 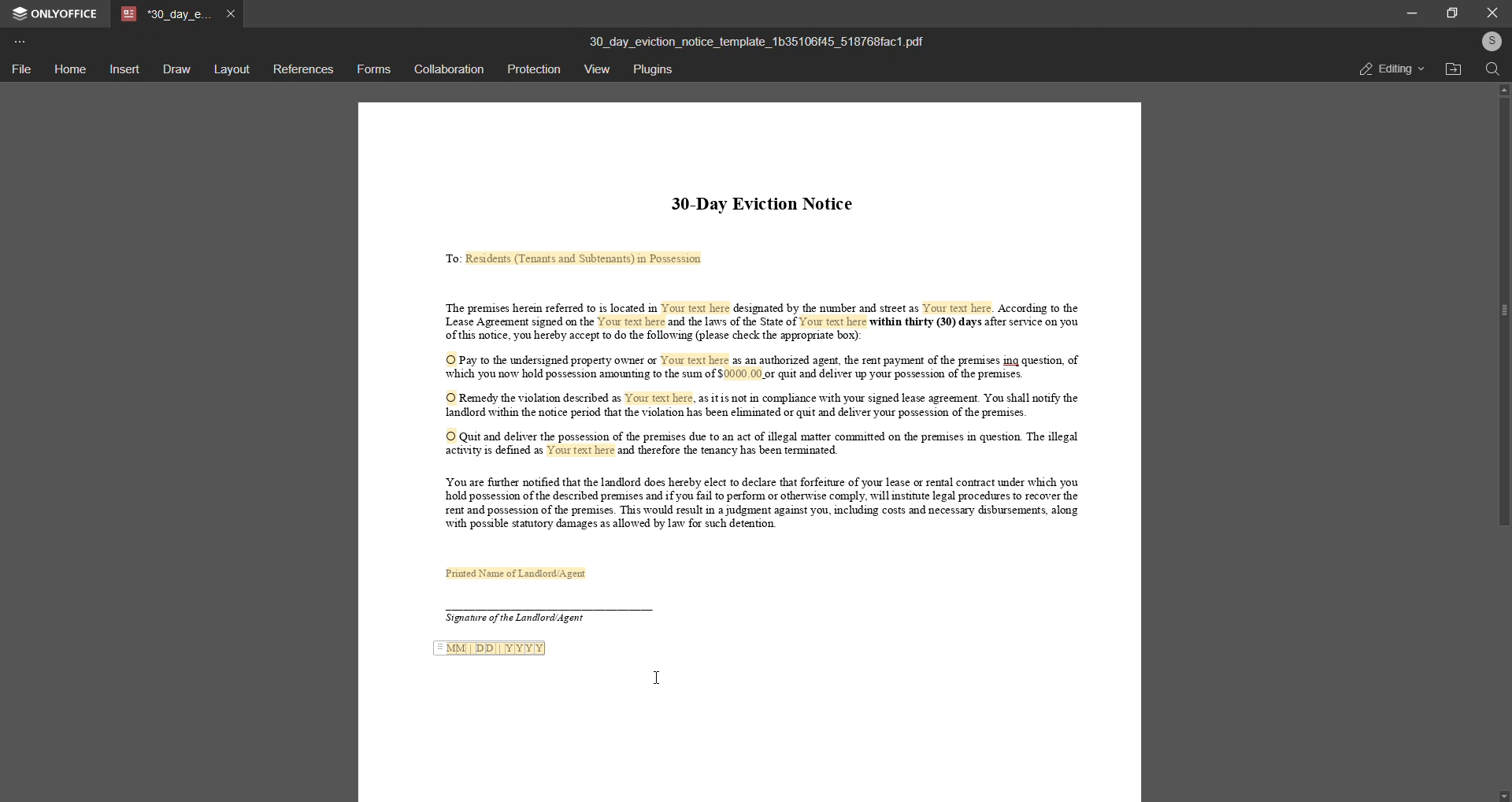 What do you see at coordinates (1490, 41) in the screenshot?
I see `user` at bounding box center [1490, 41].